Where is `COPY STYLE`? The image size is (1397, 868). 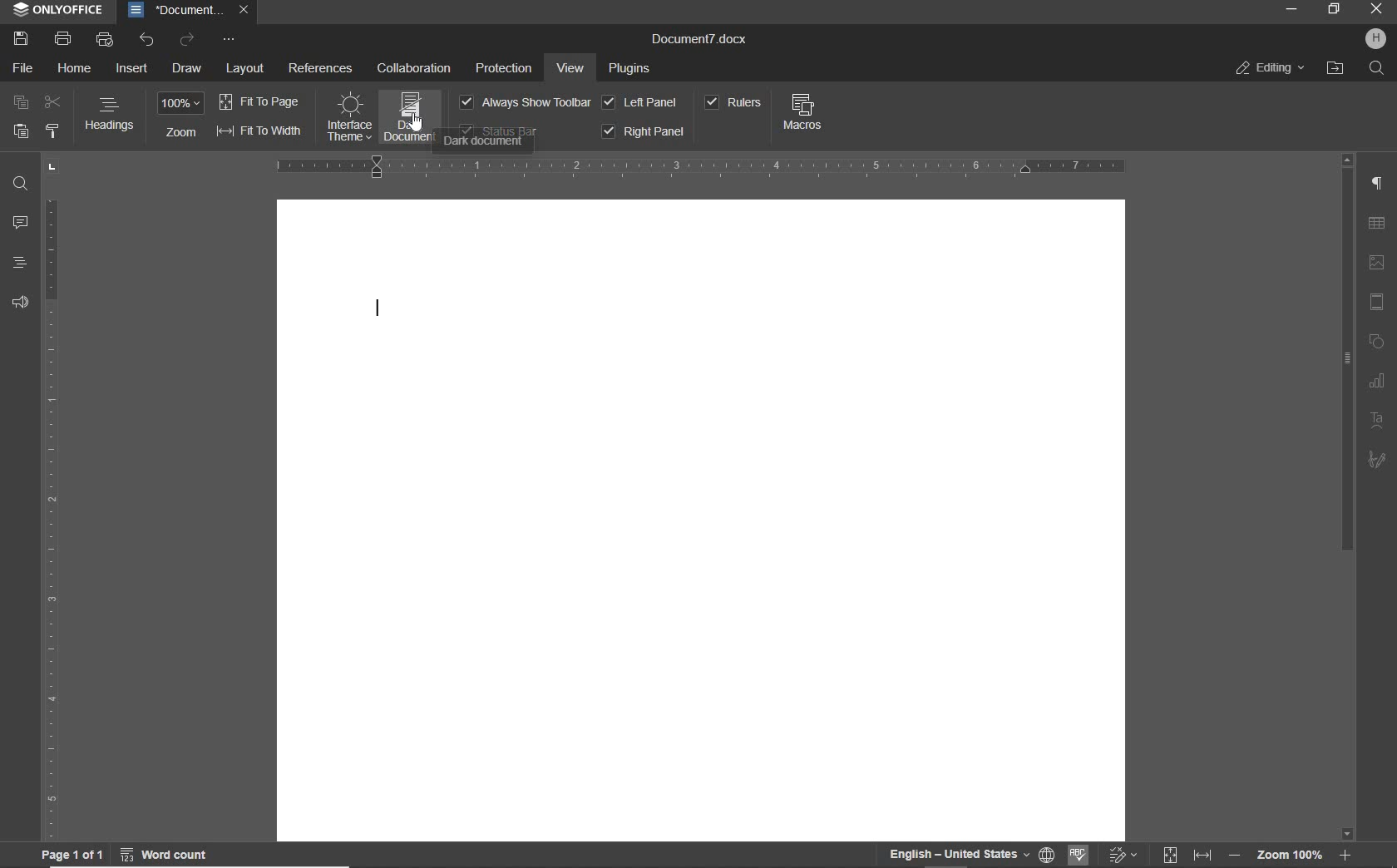
COPY STYLE is located at coordinates (54, 132).